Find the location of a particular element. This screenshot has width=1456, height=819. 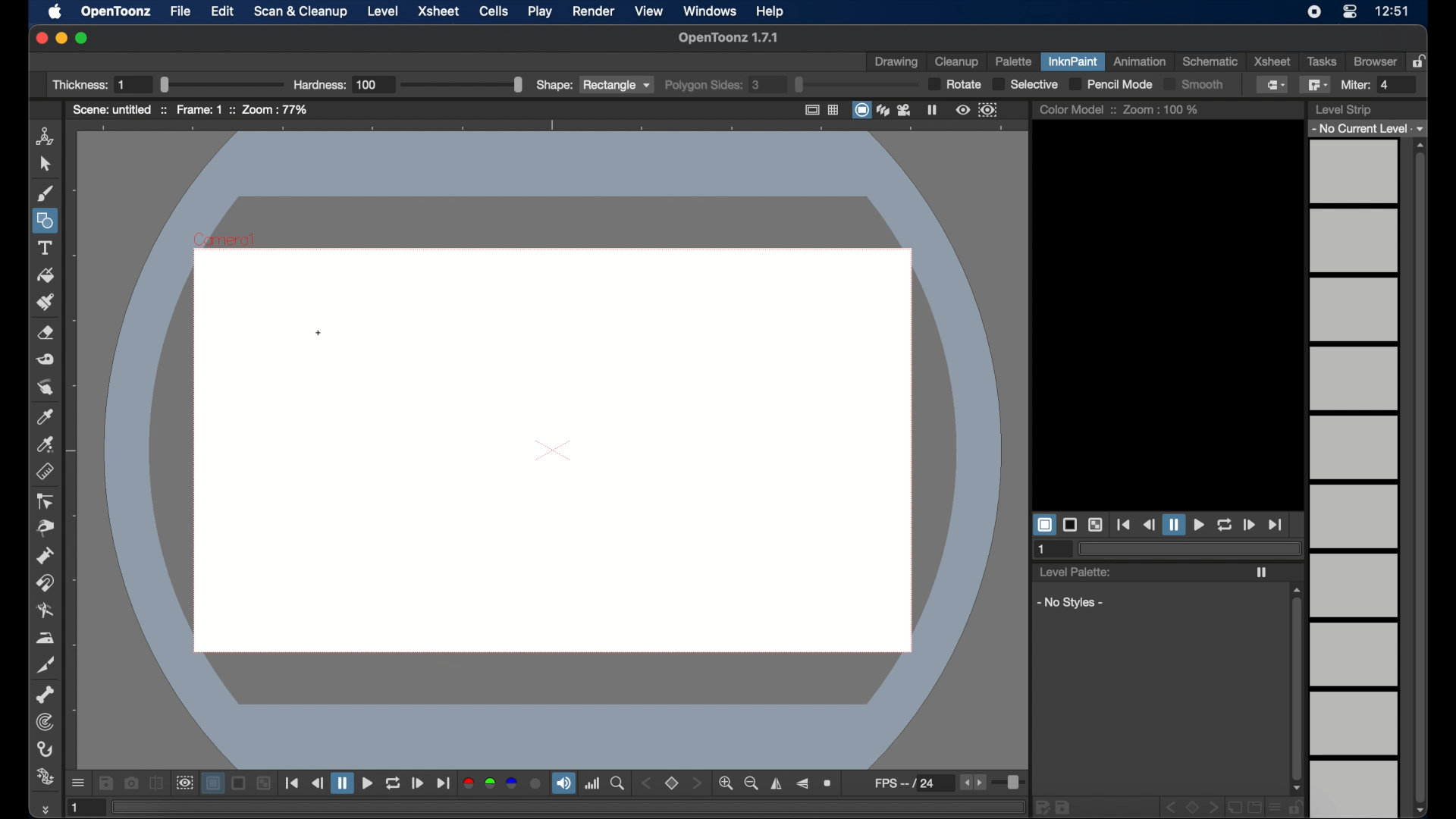

loop is located at coordinates (1224, 525).